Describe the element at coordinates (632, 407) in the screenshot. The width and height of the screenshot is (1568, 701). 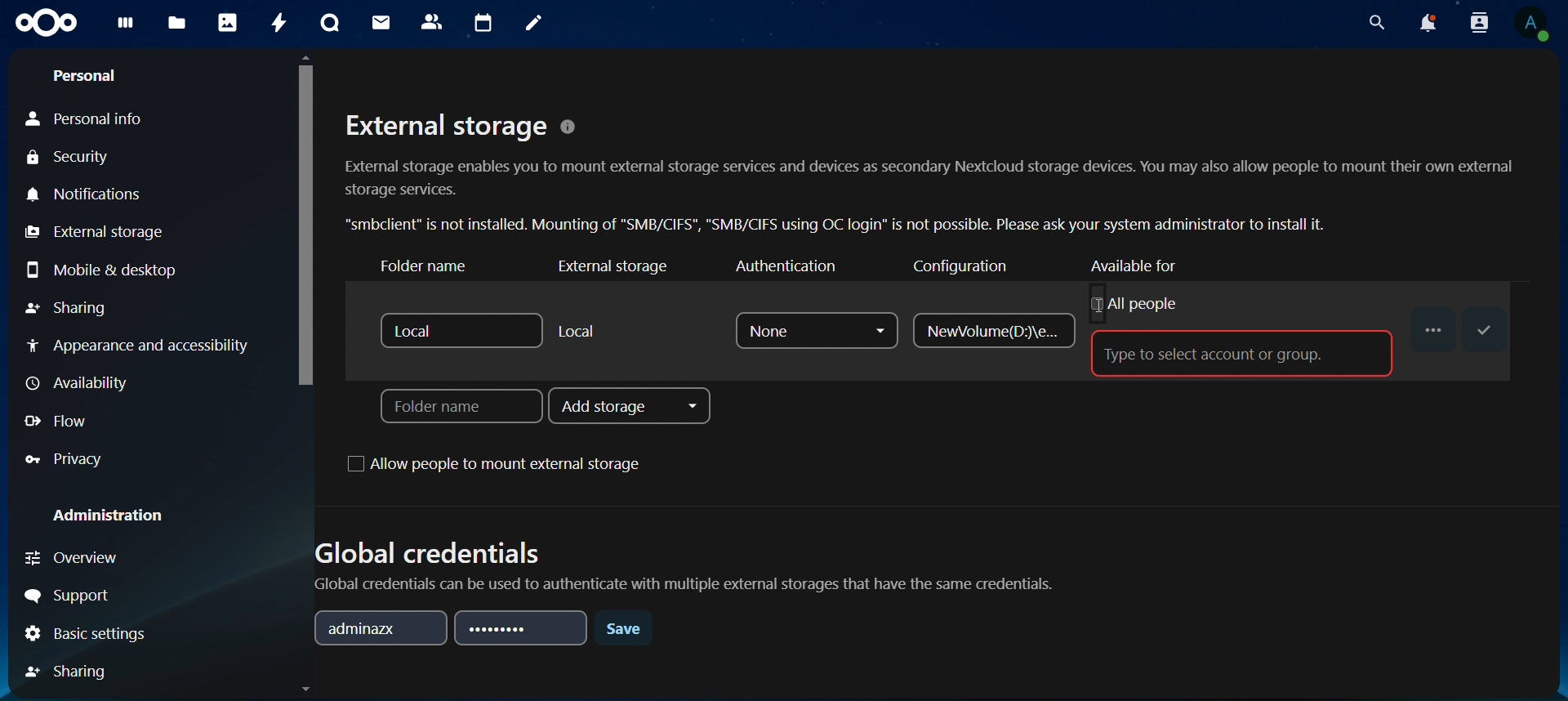
I see `add storage` at that location.